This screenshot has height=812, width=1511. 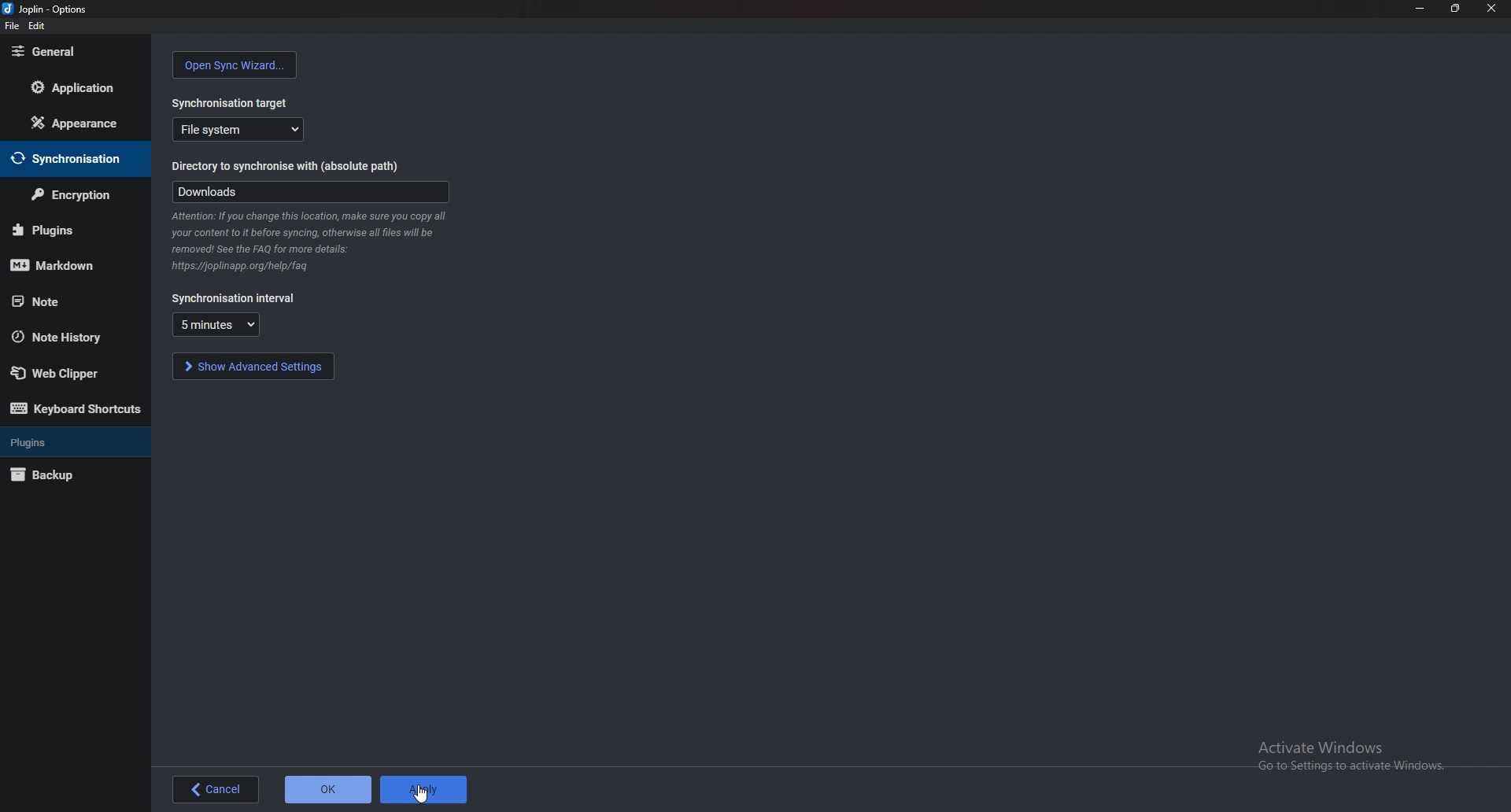 I want to click on Apply, so click(x=424, y=788).